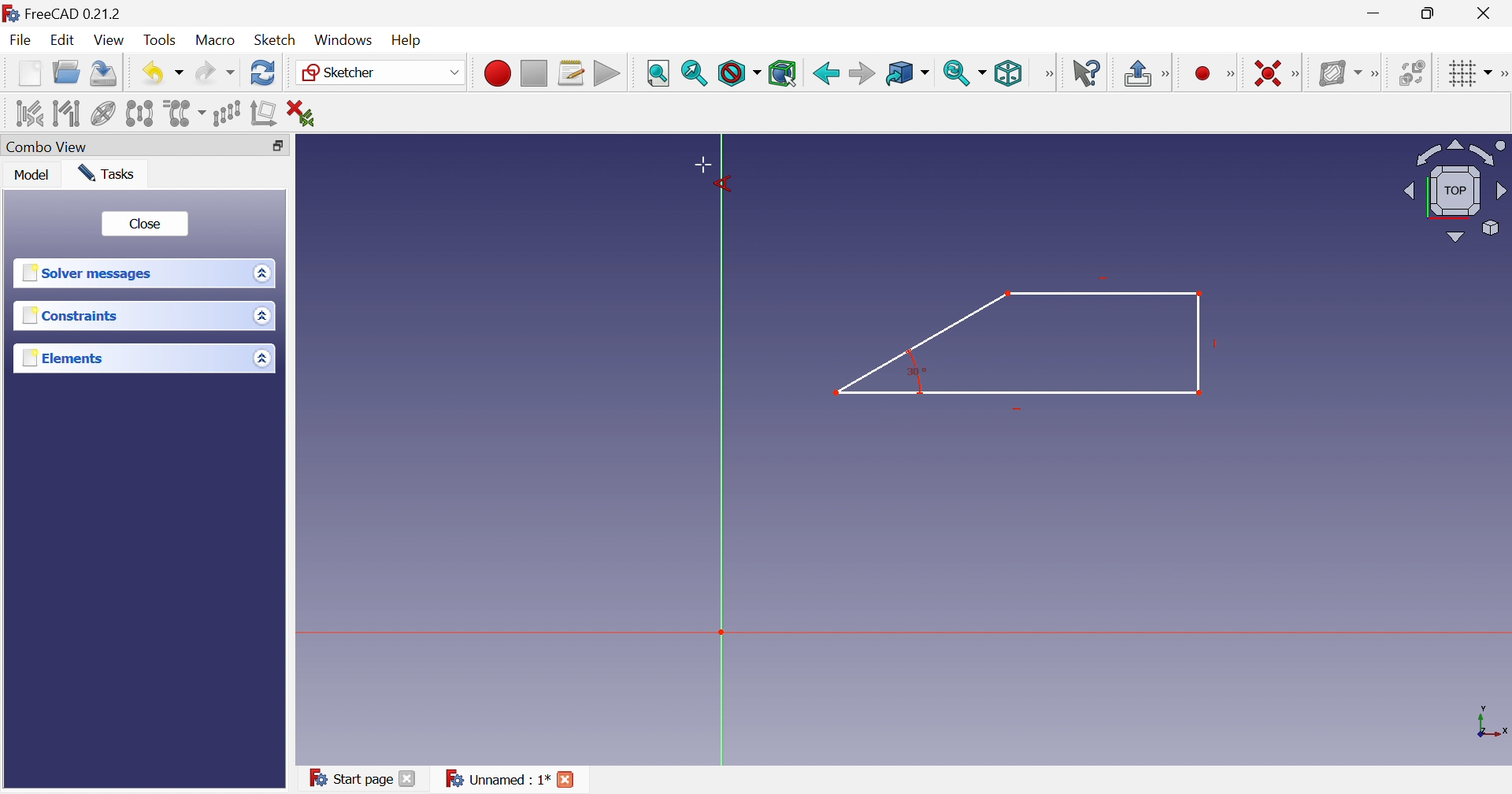  What do you see at coordinates (738, 74) in the screenshot?
I see `Draw Style` at bounding box center [738, 74].